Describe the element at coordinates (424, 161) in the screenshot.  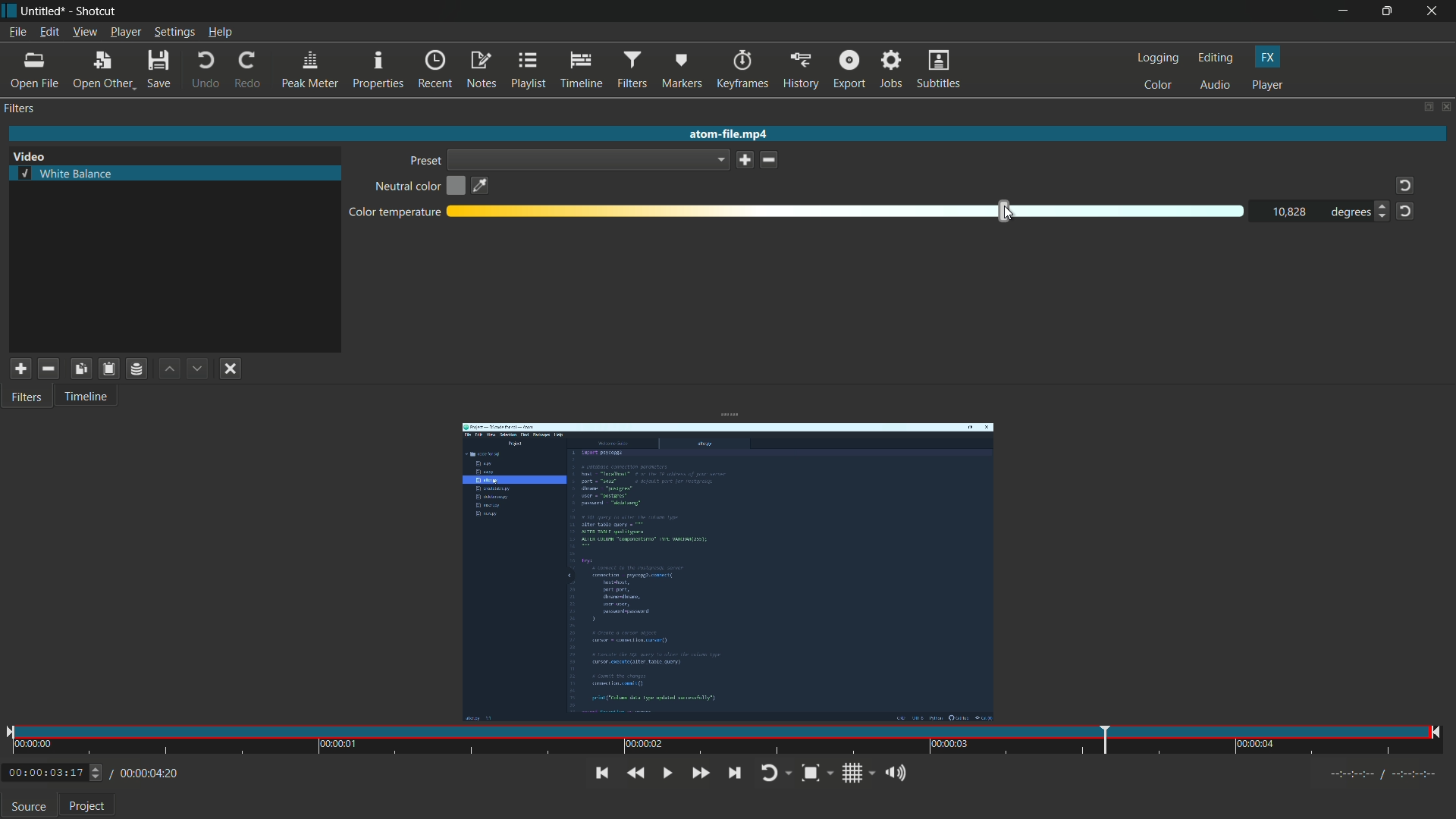
I see `preset` at that location.